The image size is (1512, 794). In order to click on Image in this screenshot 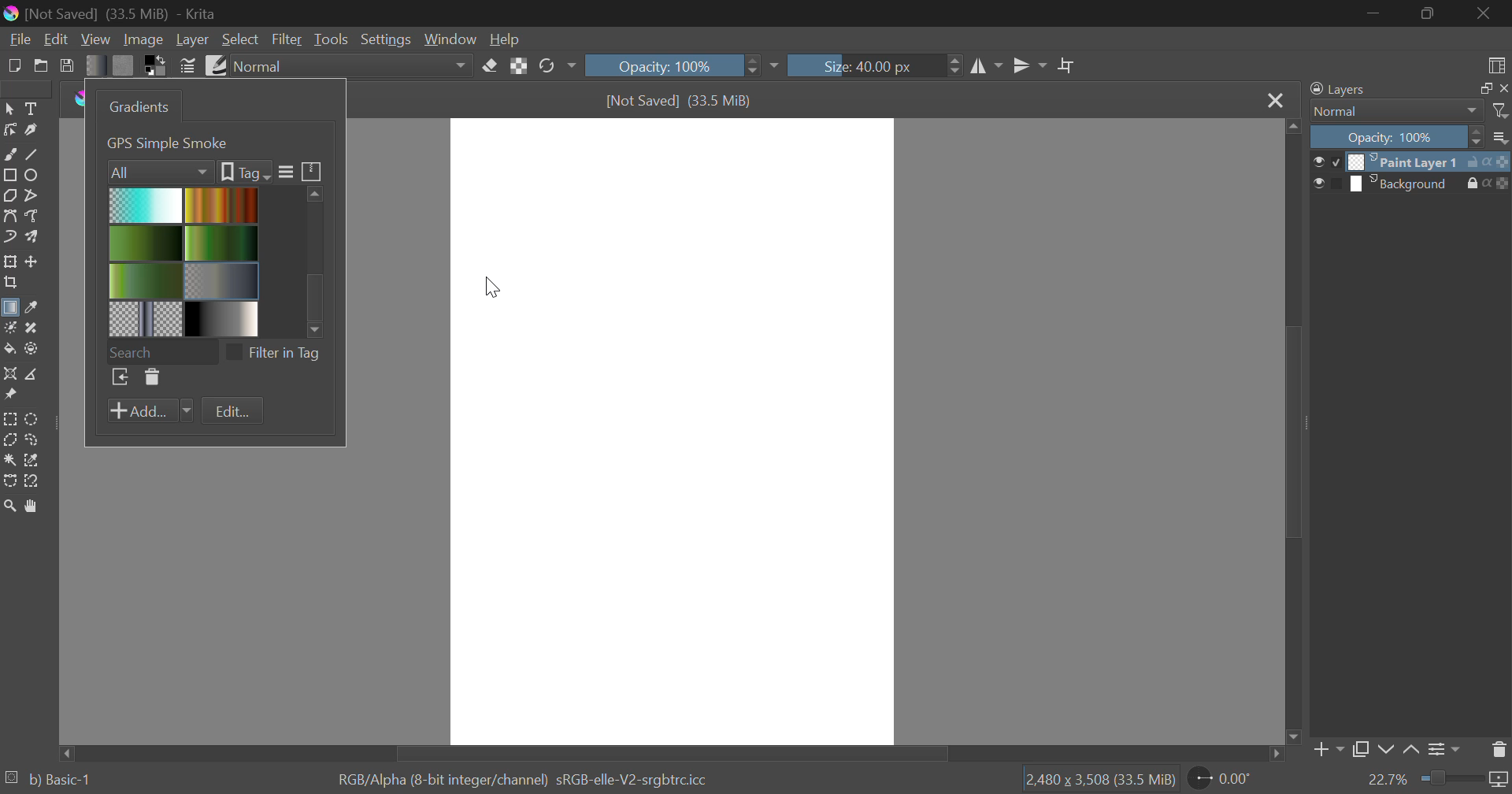, I will do `click(142, 39)`.